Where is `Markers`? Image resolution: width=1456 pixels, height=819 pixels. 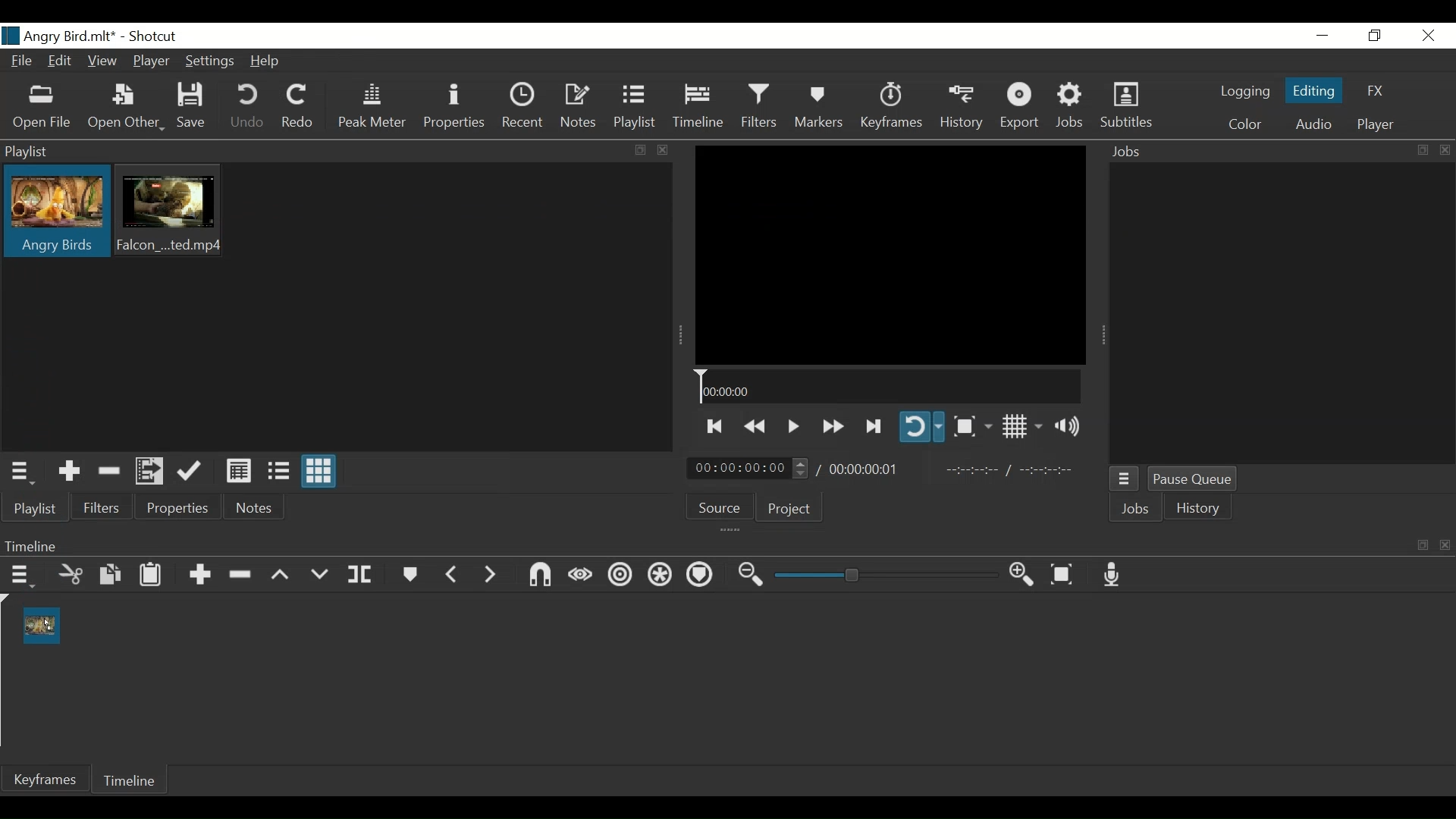 Markers is located at coordinates (411, 573).